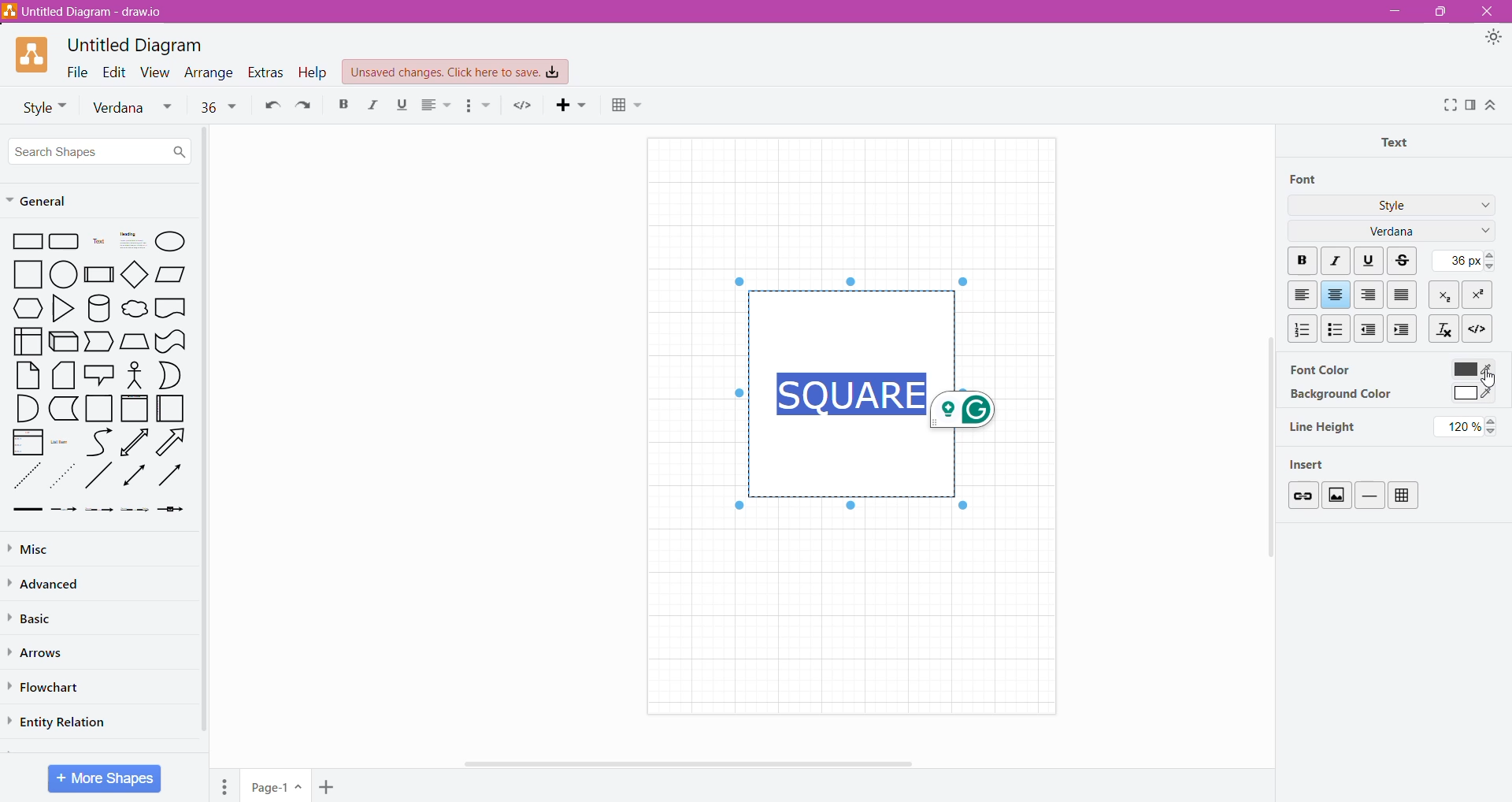 This screenshot has width=1512, height=802. I want to click on Paper Sheet , so click(28, 375).